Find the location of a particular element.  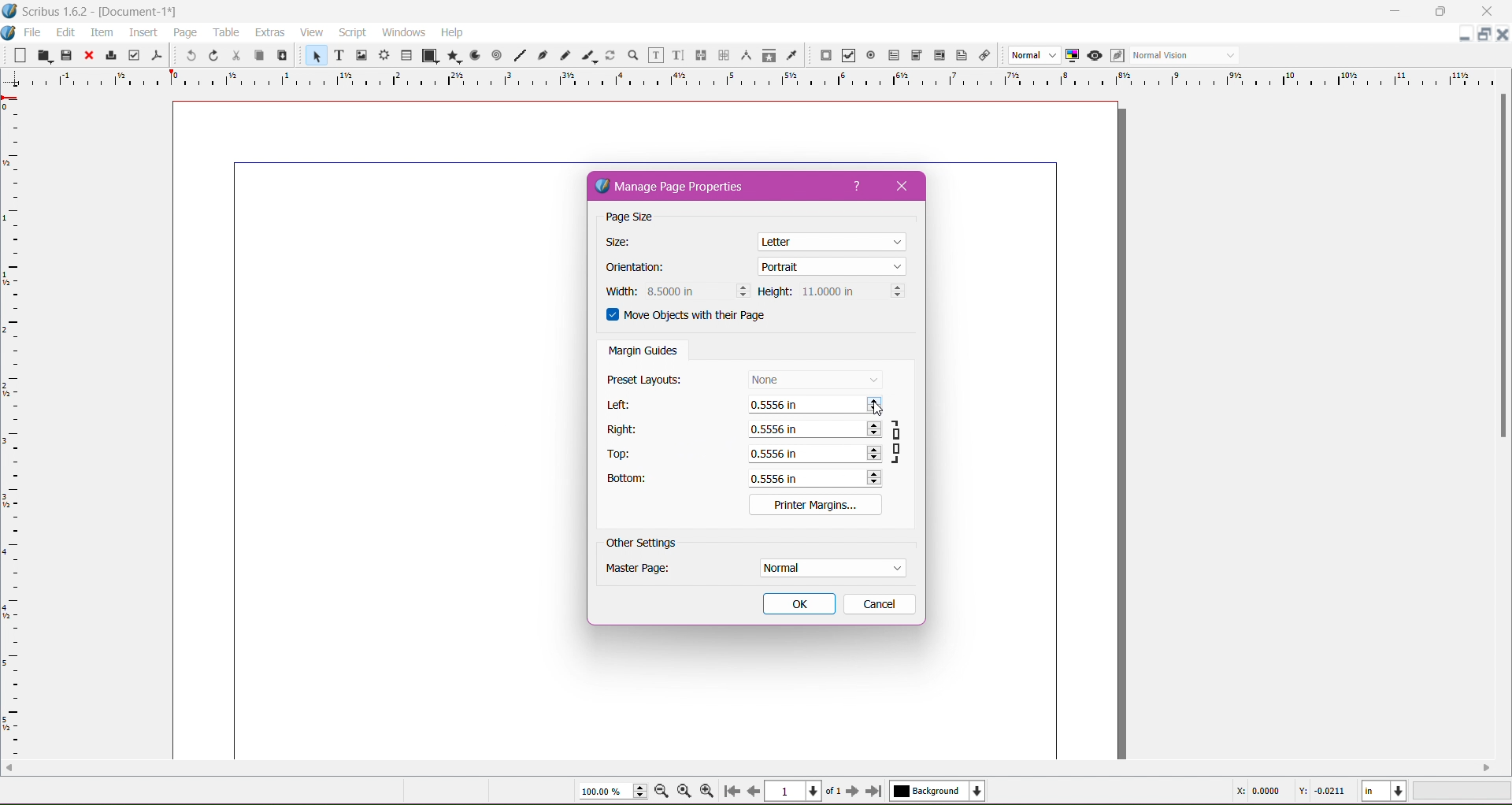

Select the current page is located at coordinates (804, 791).